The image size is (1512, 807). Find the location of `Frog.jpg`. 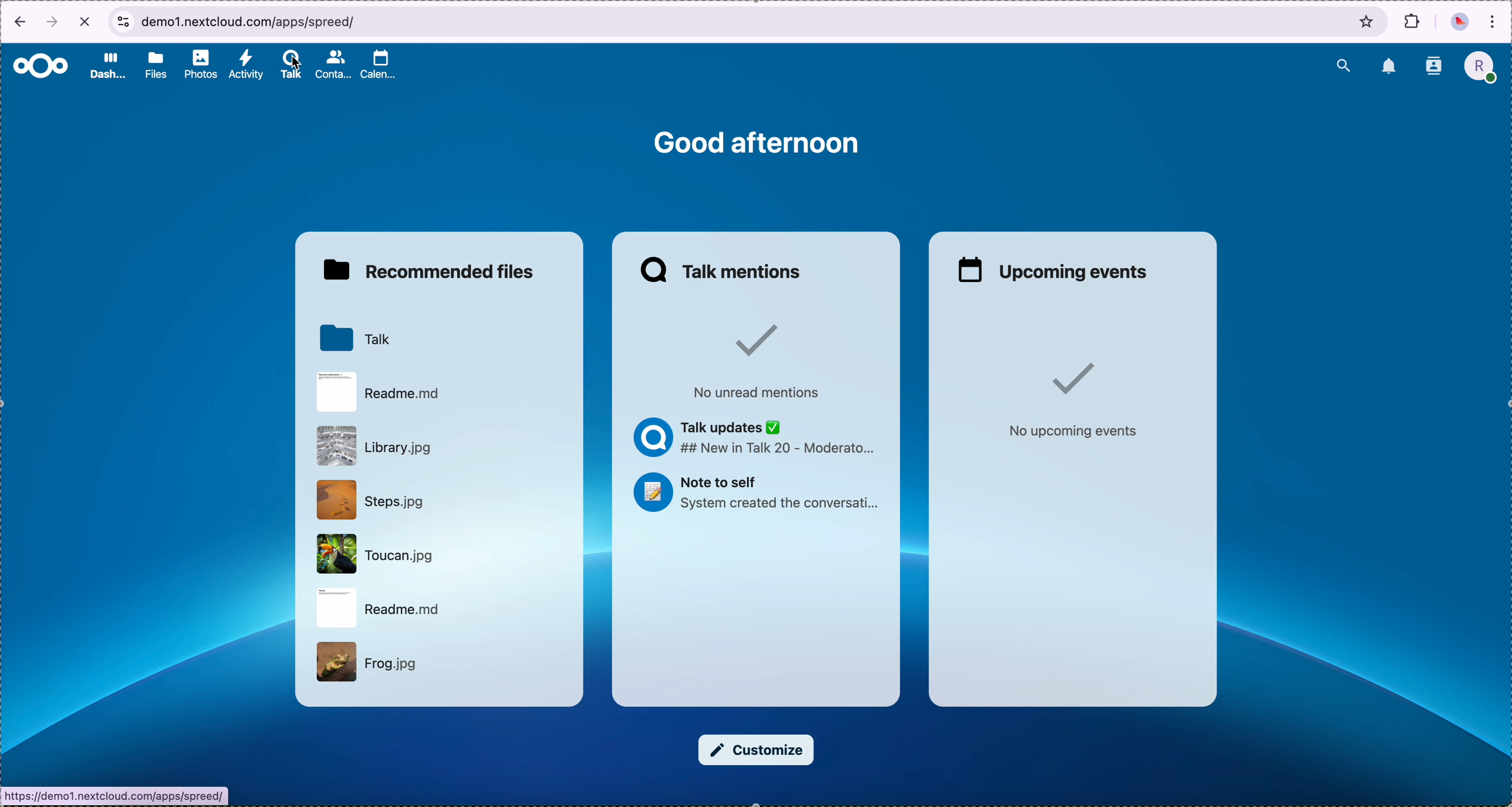

Frog.jpg is located at coordinates (440, 660).